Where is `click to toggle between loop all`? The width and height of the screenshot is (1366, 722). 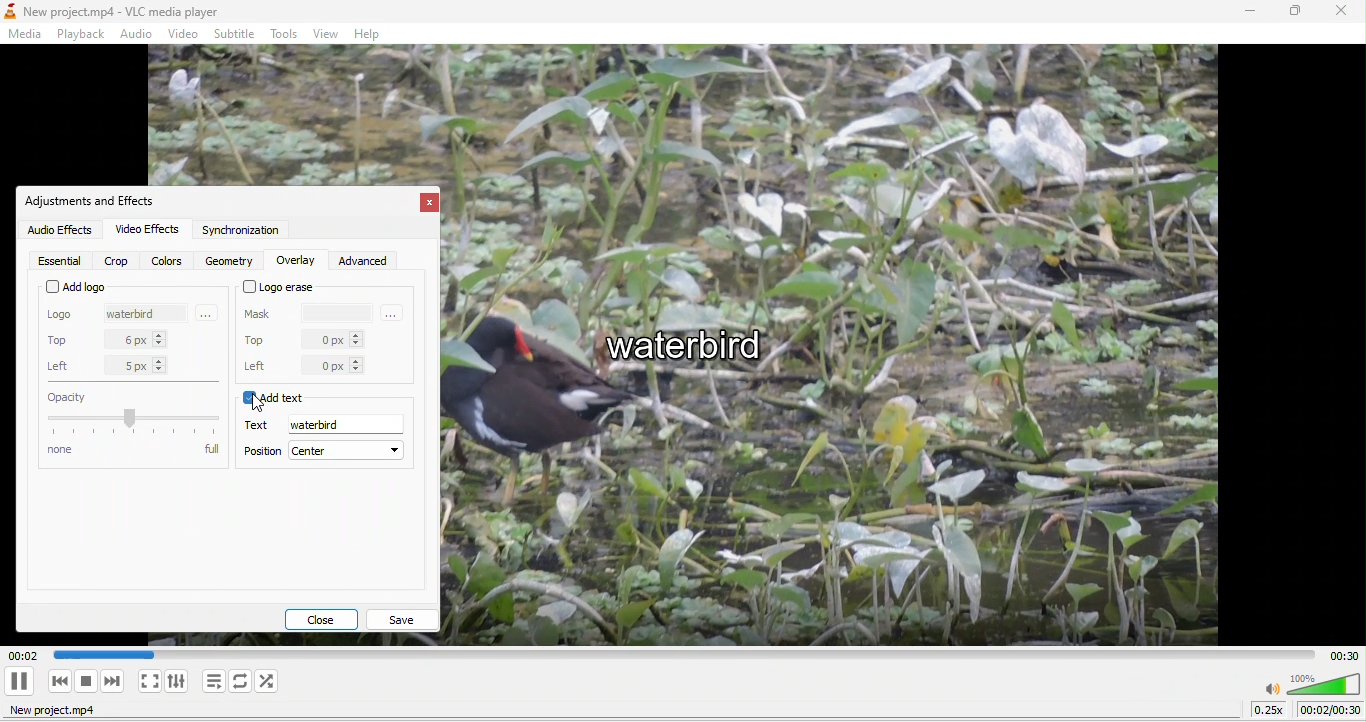 click to toggle between loop all is located at coordinates (241, 682).